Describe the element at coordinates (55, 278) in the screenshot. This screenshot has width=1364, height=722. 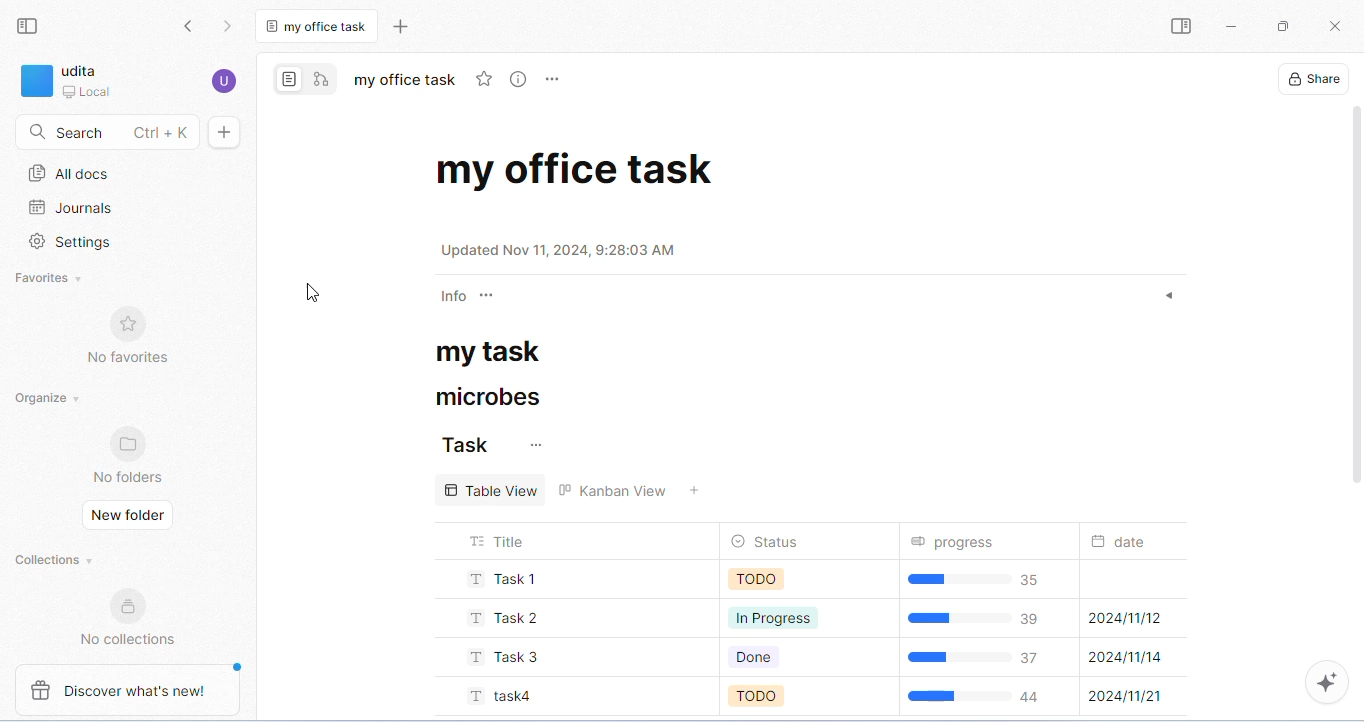
I see `favorites` at that location.